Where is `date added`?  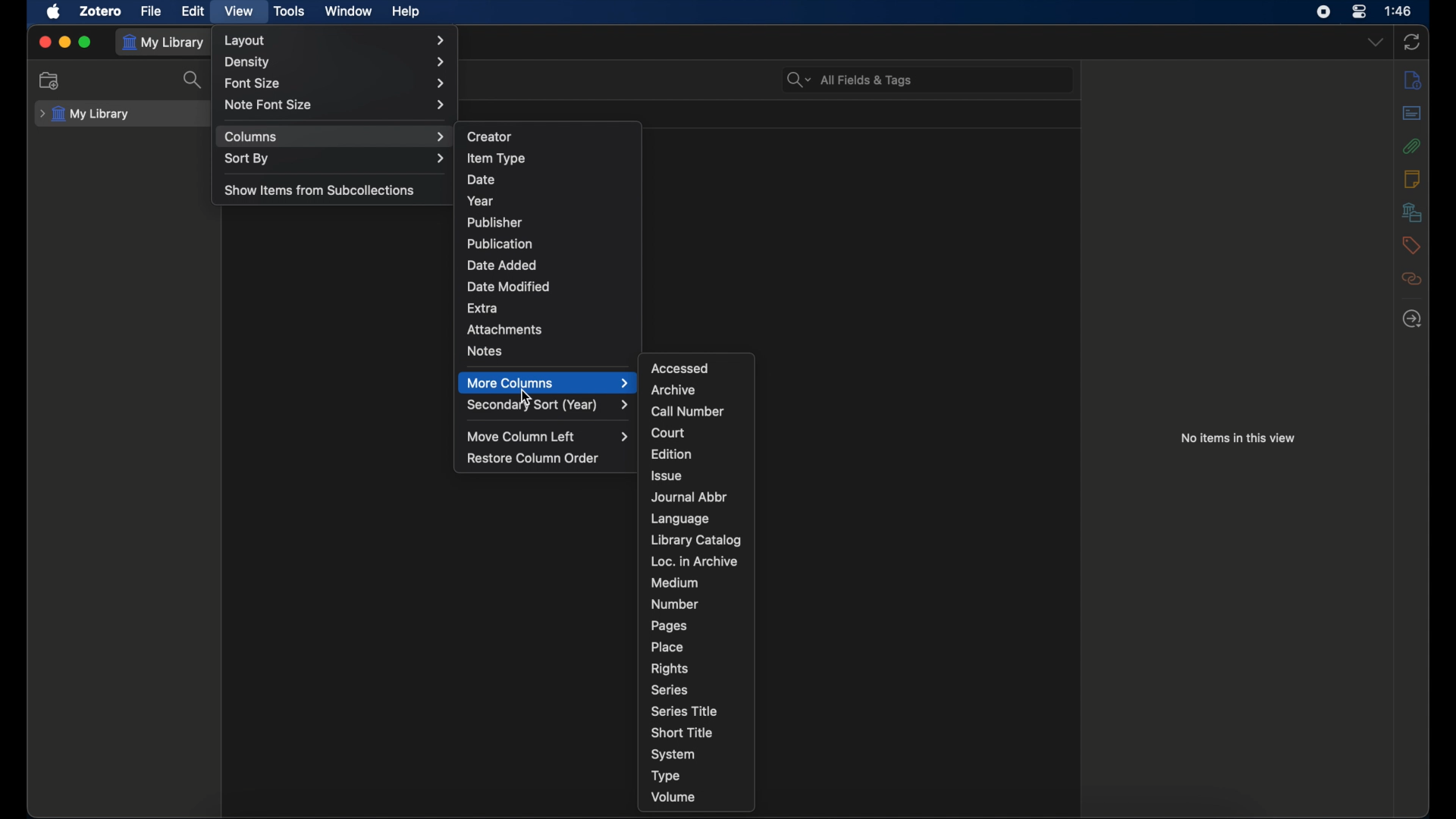
date added is located at coordinates (502, 264).